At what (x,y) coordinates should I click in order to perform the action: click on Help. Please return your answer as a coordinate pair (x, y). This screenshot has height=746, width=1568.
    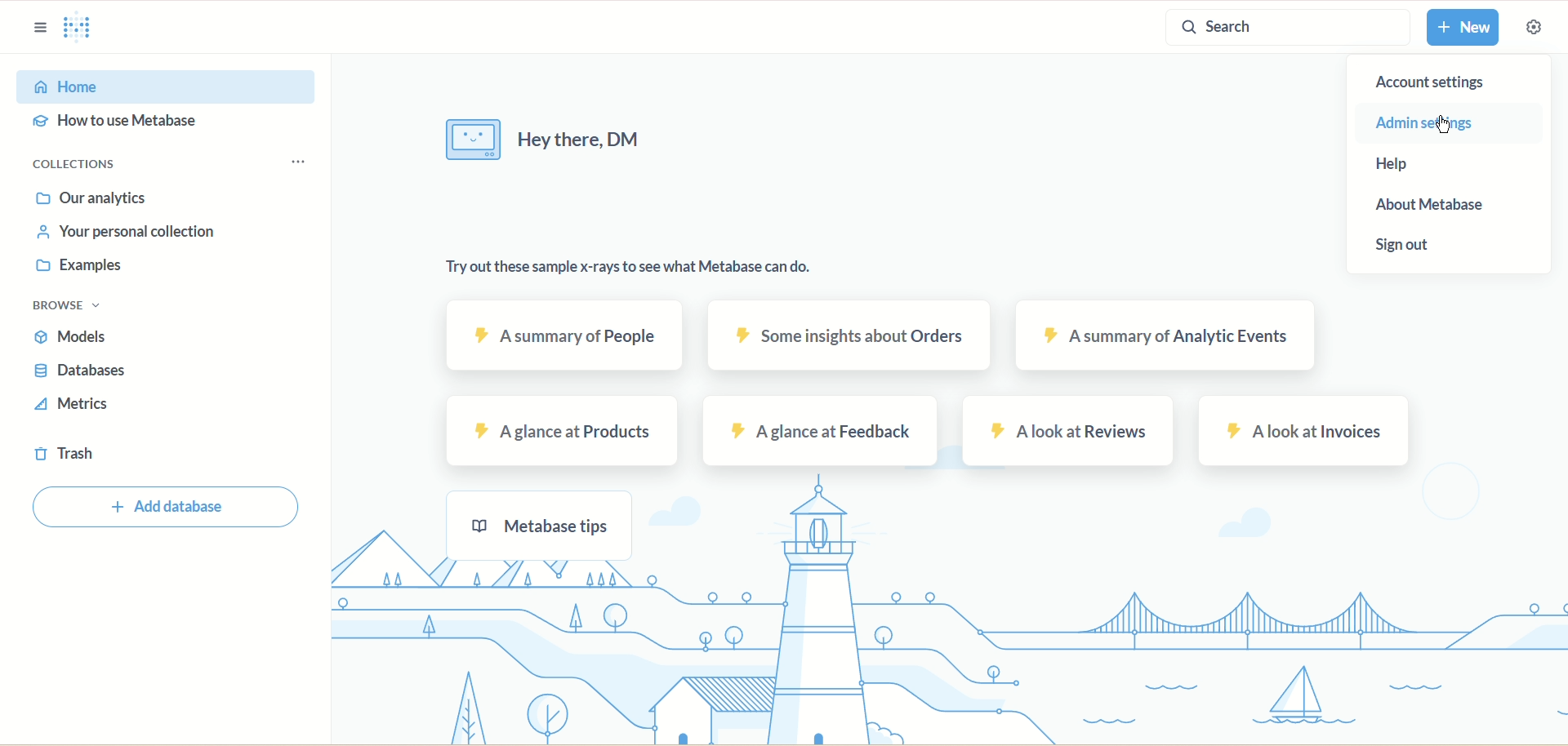
    Looking at the image, I should click on (1428, 162).